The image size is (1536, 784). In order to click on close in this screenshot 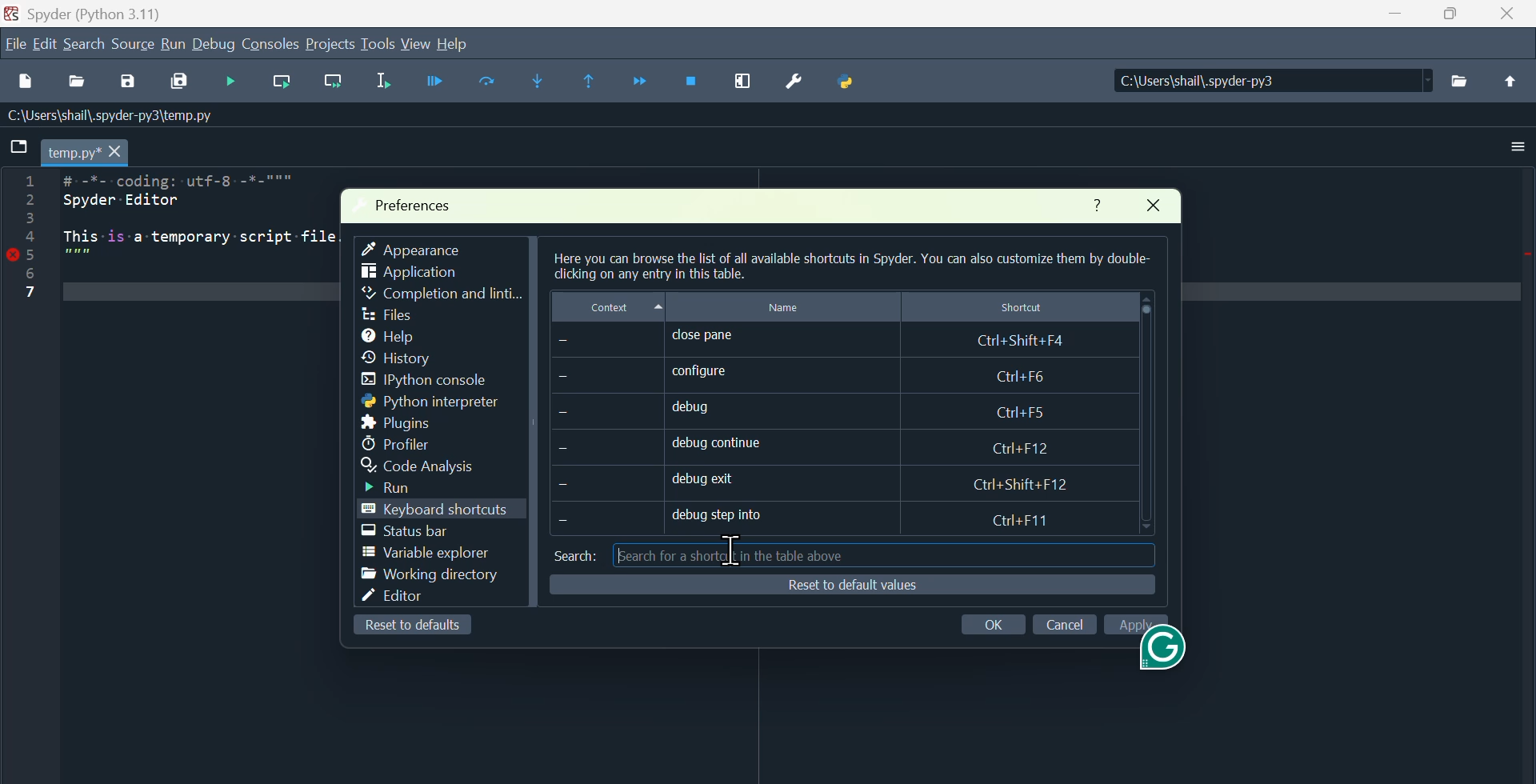, I will do `click(1161, 209)`.